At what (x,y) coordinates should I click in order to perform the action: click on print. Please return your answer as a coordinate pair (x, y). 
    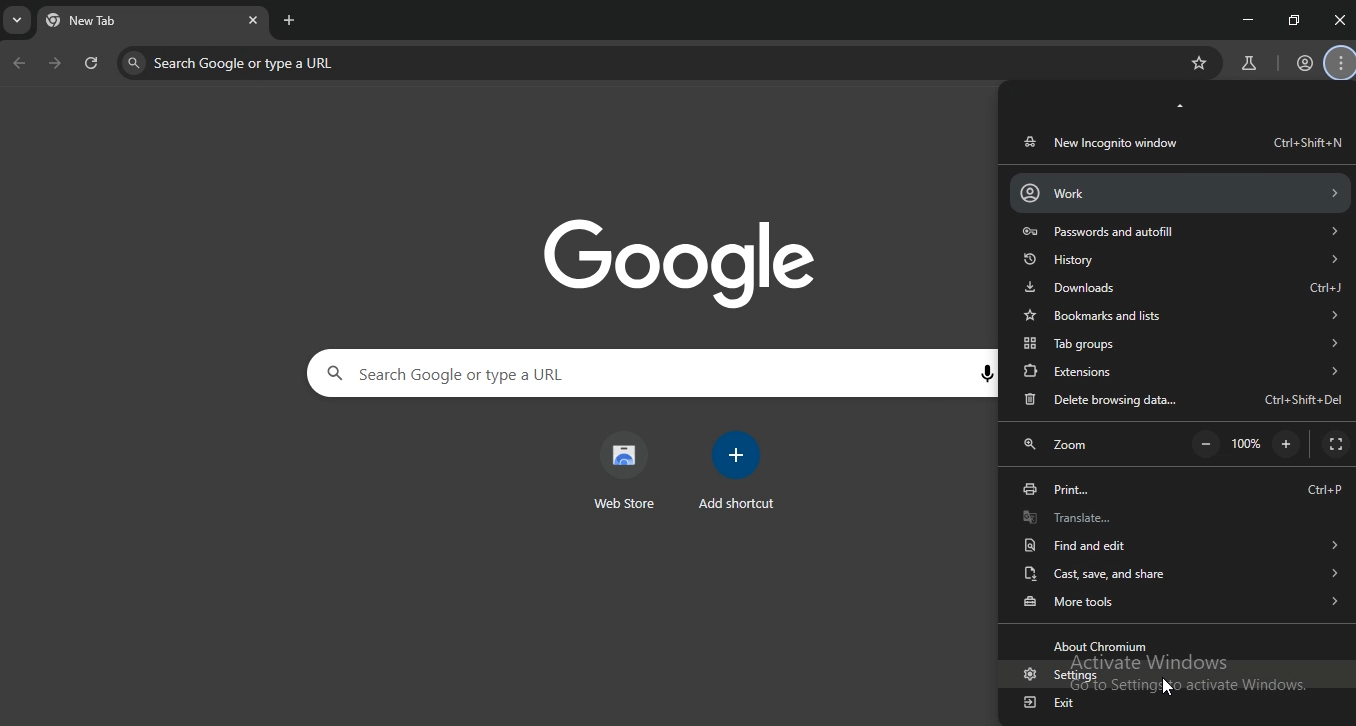
    Looking at the image, I should click on (1182, 489).